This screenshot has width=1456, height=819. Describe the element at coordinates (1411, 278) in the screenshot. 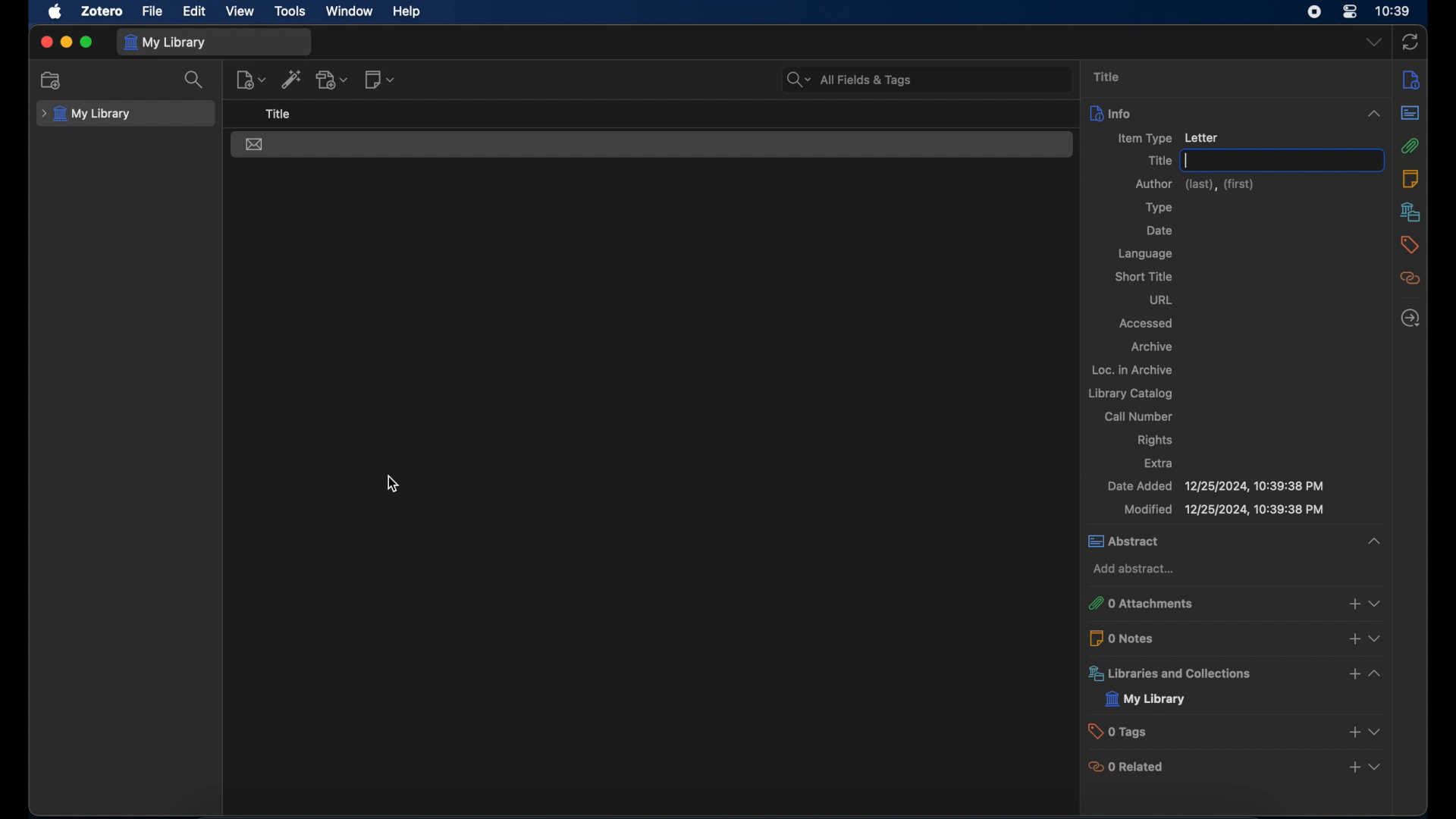

I see `related` at that location.